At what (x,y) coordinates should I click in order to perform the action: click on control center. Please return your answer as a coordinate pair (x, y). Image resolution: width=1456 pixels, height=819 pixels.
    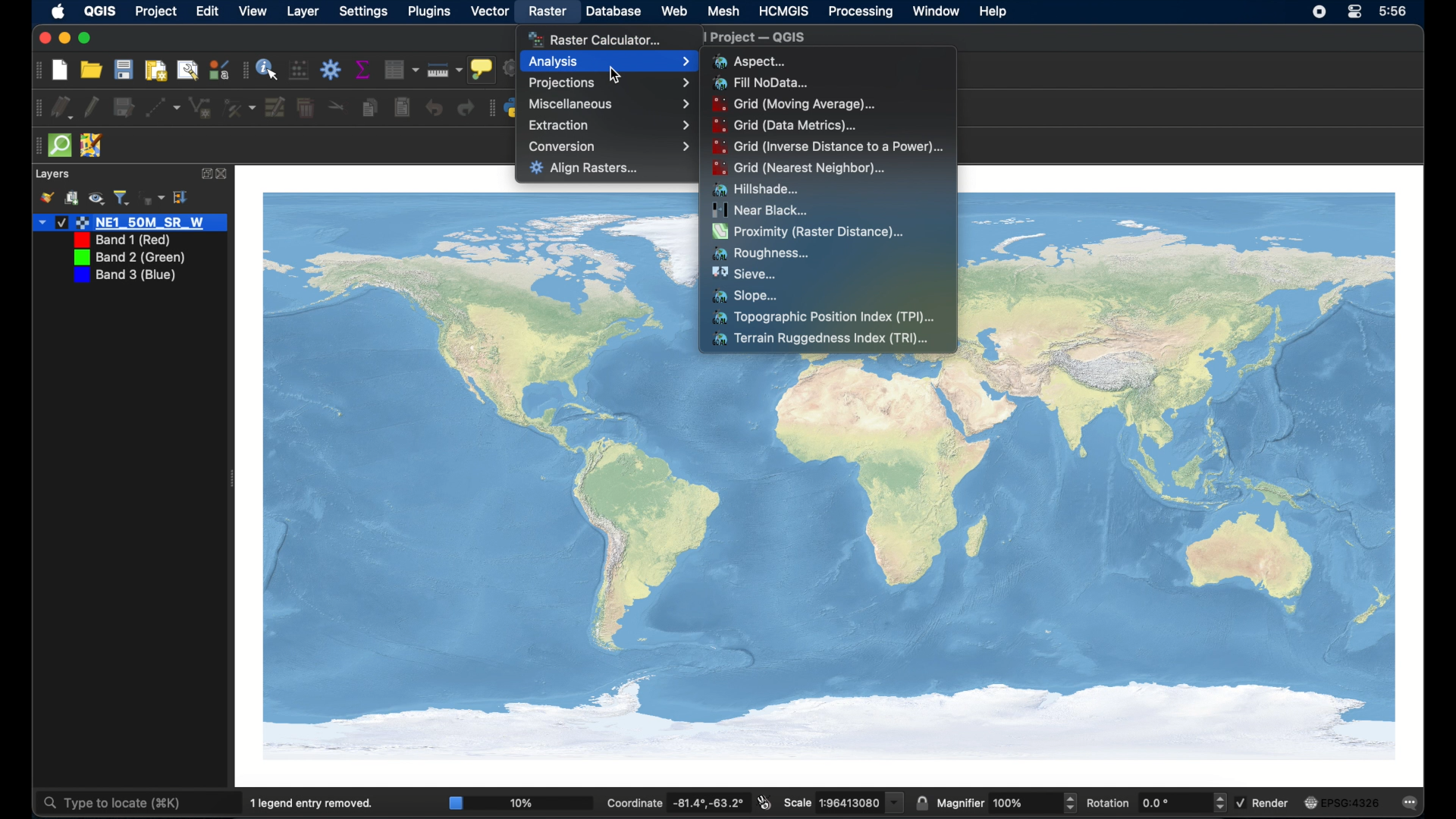
    Looking at the image, I should click on (1356, 13).